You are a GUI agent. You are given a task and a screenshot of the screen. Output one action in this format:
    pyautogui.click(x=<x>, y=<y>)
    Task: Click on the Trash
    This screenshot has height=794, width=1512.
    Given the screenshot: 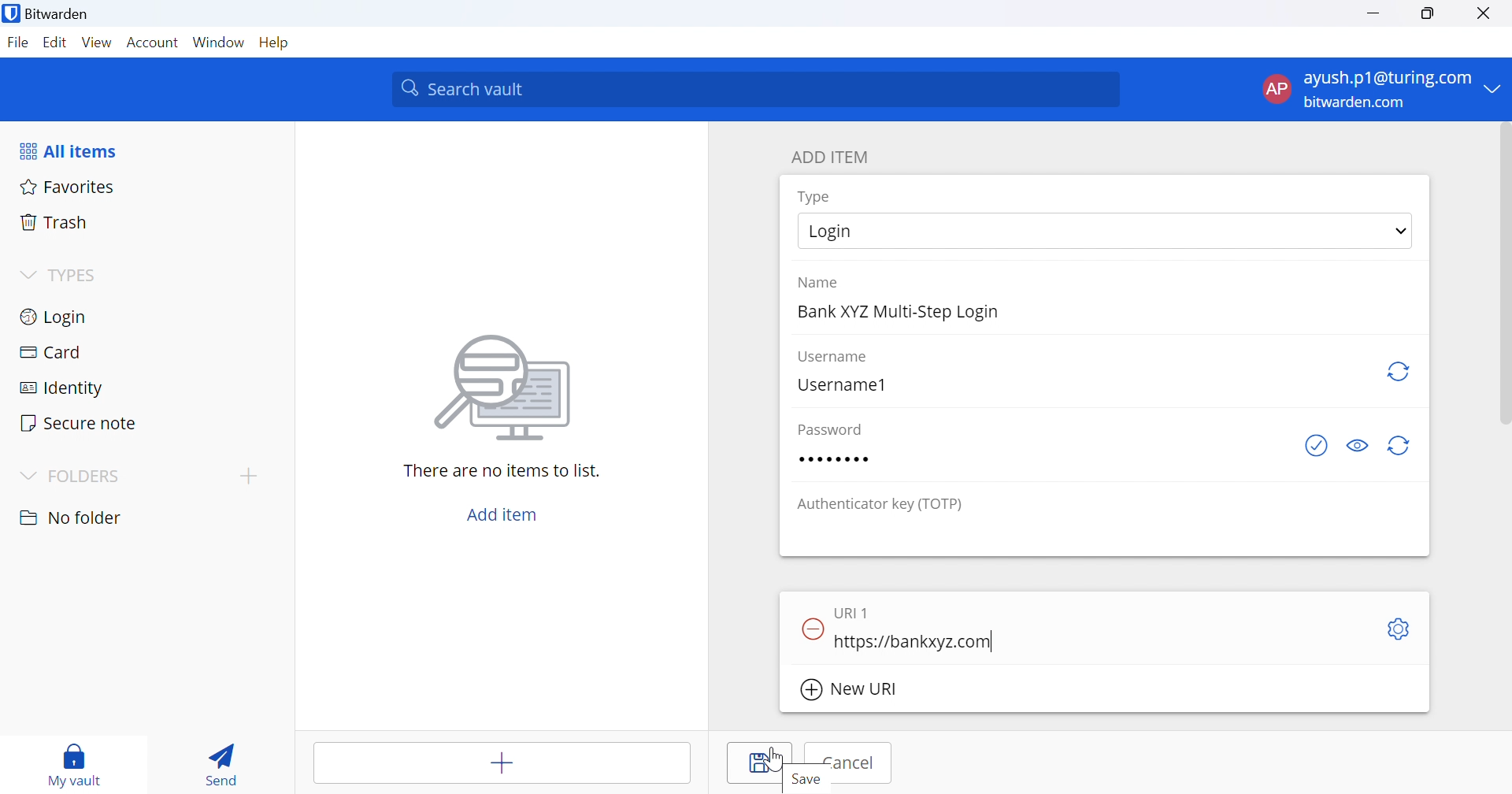 What is the action you would take?
    pyautogui.click(x=54, y=221)
    